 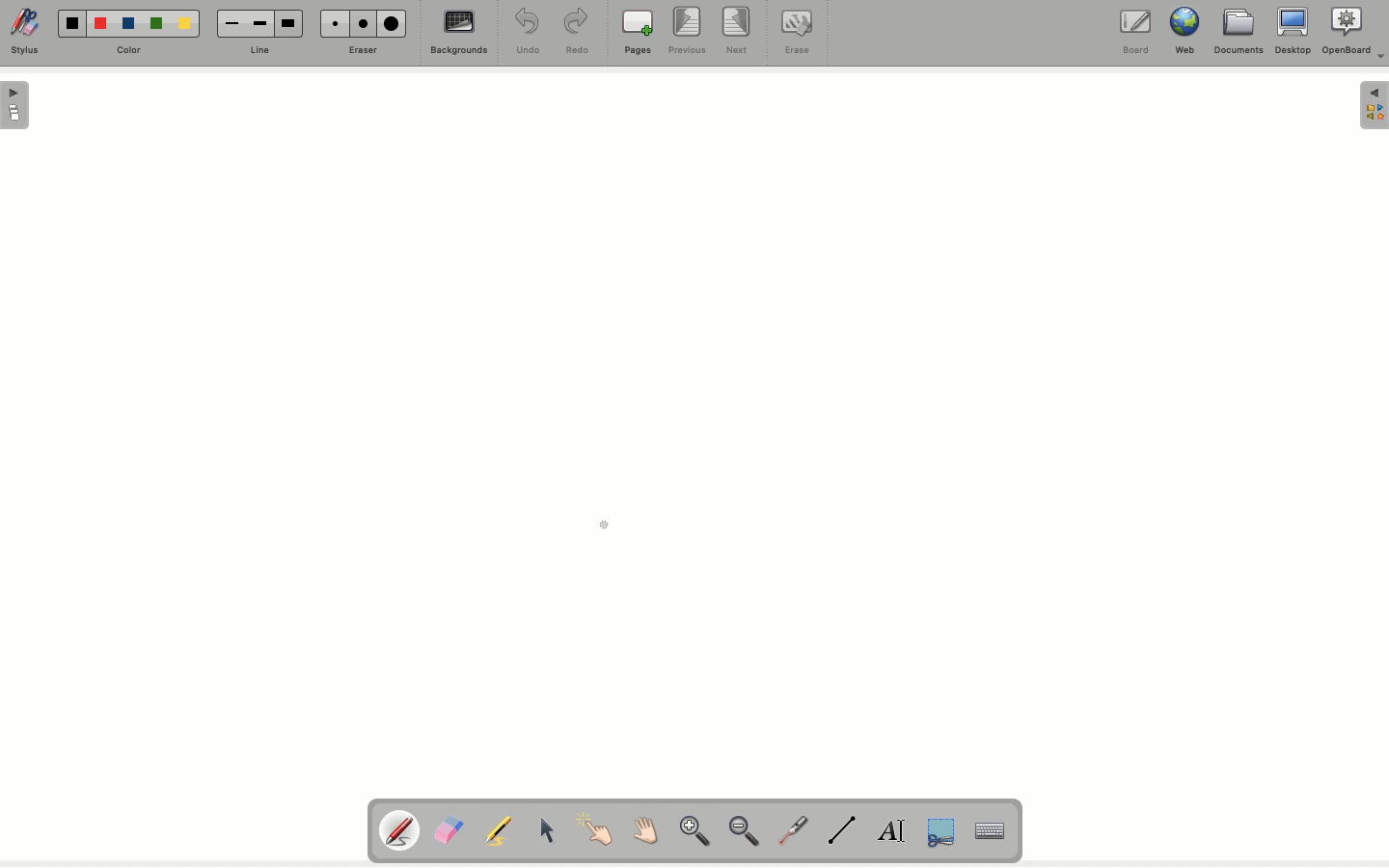 What do you see at coordinates (187, 26) in the screenshot?
I see `Yellow` at bounding box center [187, 26].